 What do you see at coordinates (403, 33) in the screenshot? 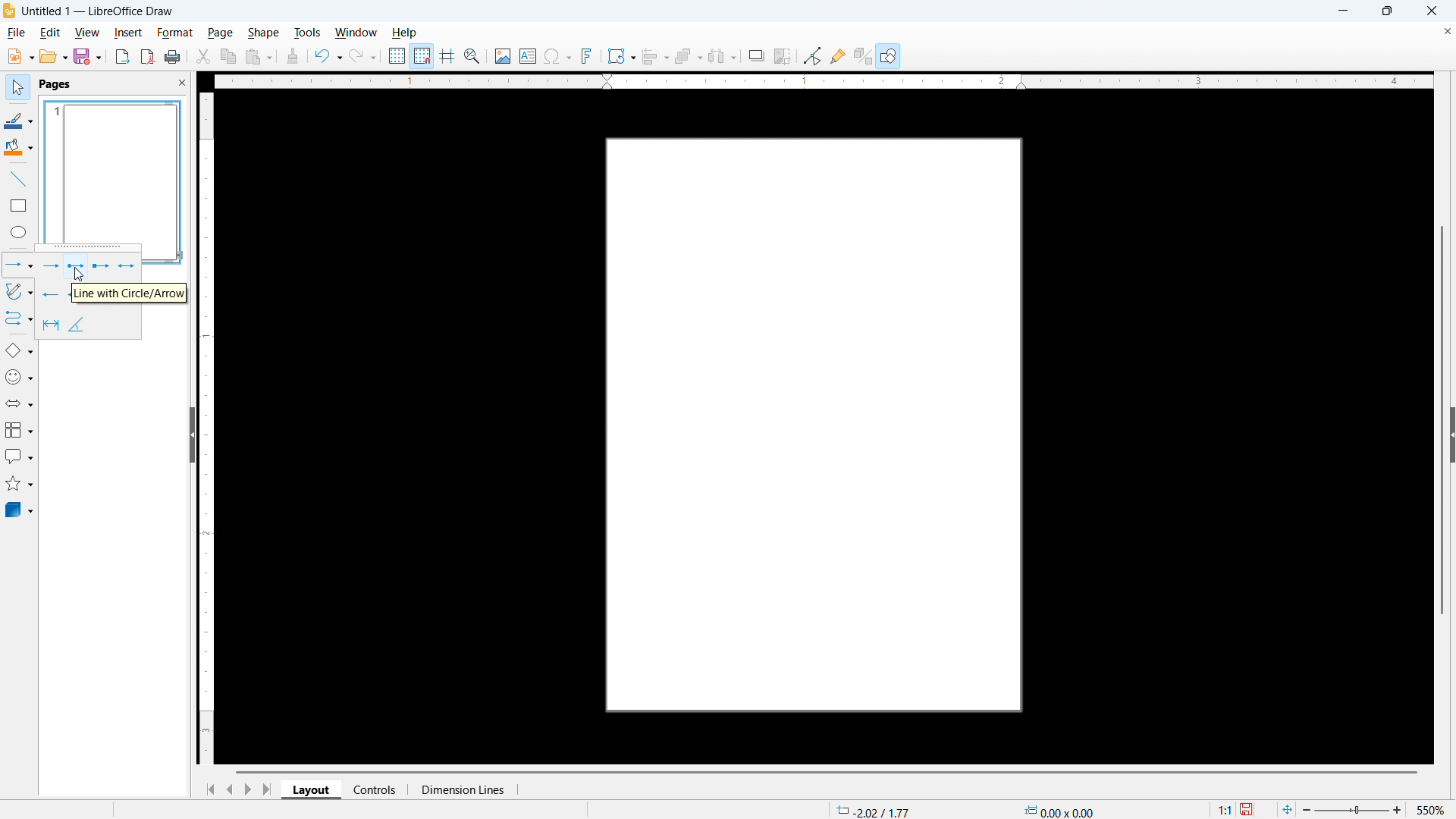
I see `Help ` at bounding box center [403, 33].